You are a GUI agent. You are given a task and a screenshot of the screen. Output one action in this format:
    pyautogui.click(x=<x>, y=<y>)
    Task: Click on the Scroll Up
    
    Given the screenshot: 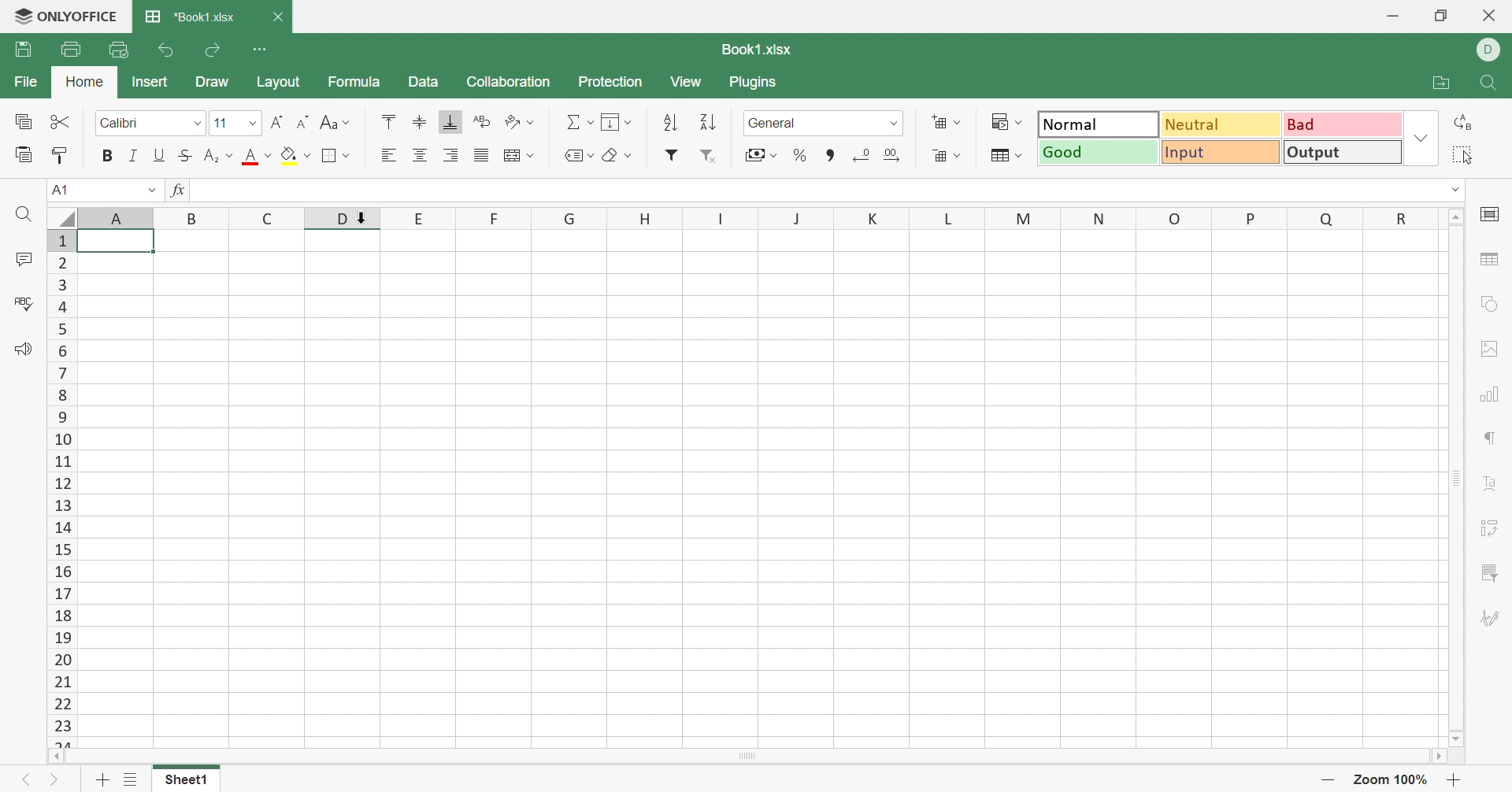 What is the action you would take?
    pyautogui.click(x=1456, y=217)
    